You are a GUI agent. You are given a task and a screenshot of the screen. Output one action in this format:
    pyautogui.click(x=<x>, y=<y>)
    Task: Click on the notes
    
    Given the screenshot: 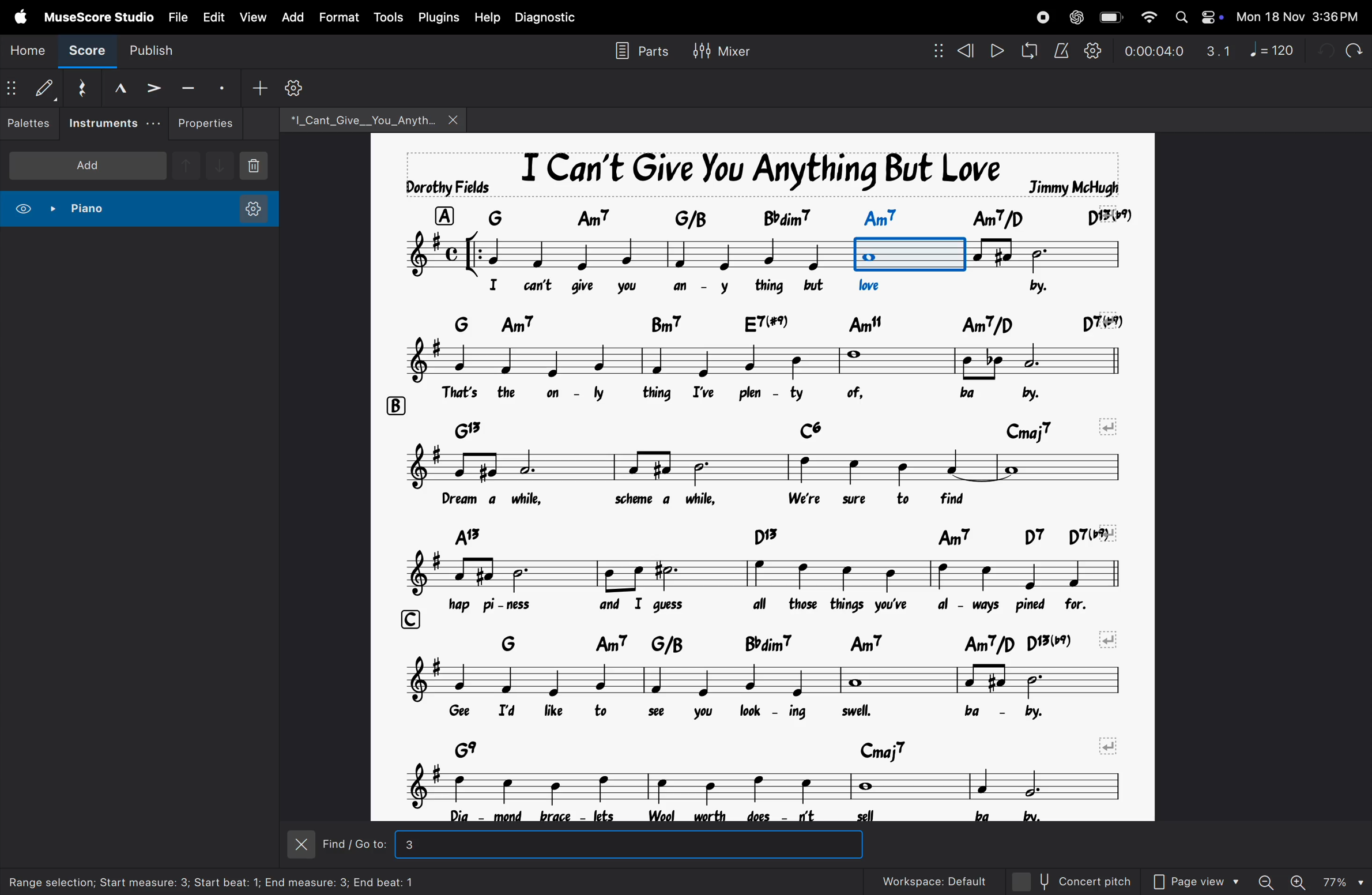 What is the action you would take?
    pyautogui.click(x=768, y=363)
    